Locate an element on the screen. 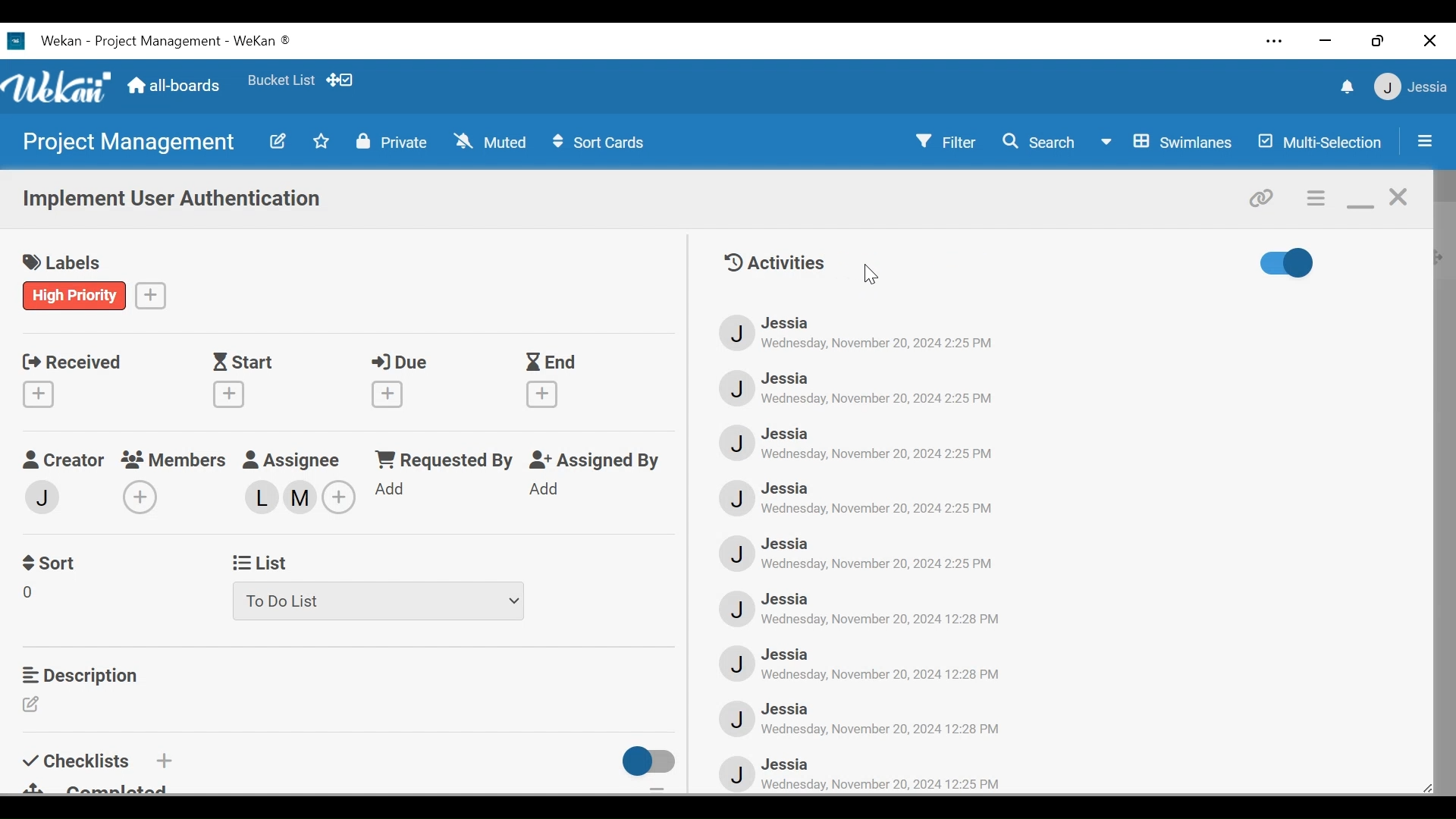 The image size is (1456, 819). settings and more is located at coordinates (1273, 41).